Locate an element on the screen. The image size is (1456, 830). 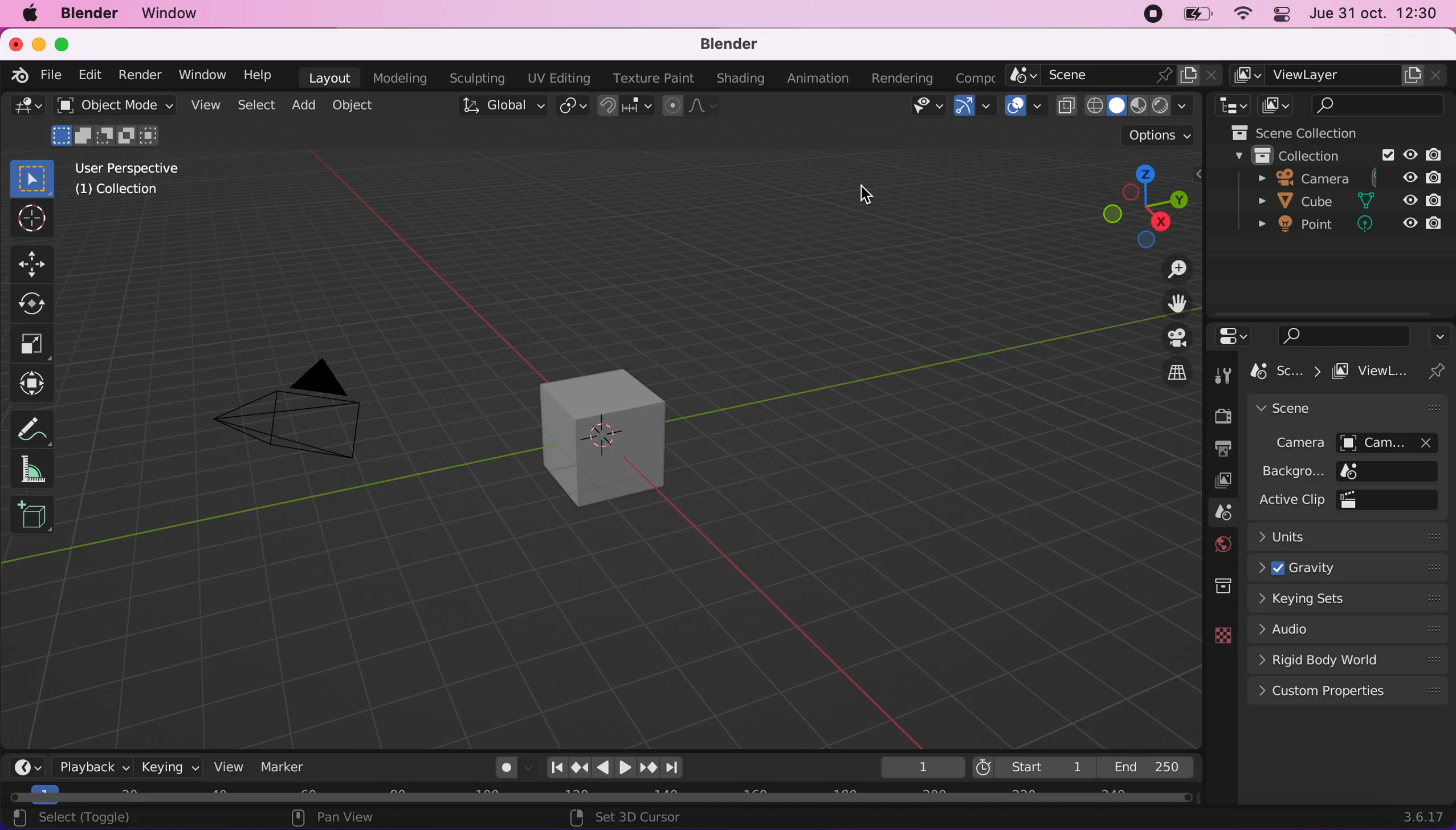
select is located at coordinates (255, 105).